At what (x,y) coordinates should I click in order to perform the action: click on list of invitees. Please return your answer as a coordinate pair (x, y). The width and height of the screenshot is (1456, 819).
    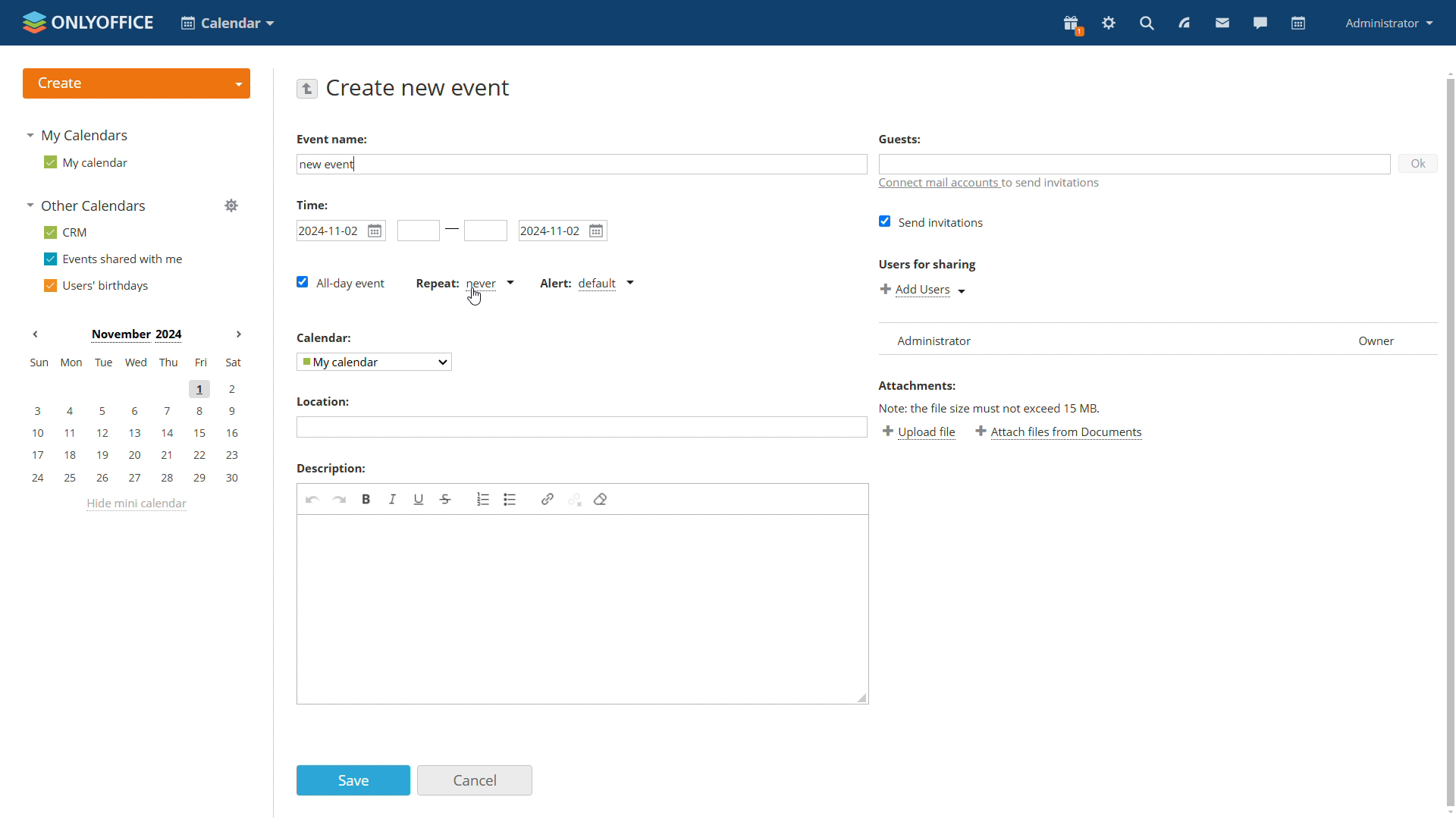
    Looking at the image, I should click on (1156, 337).